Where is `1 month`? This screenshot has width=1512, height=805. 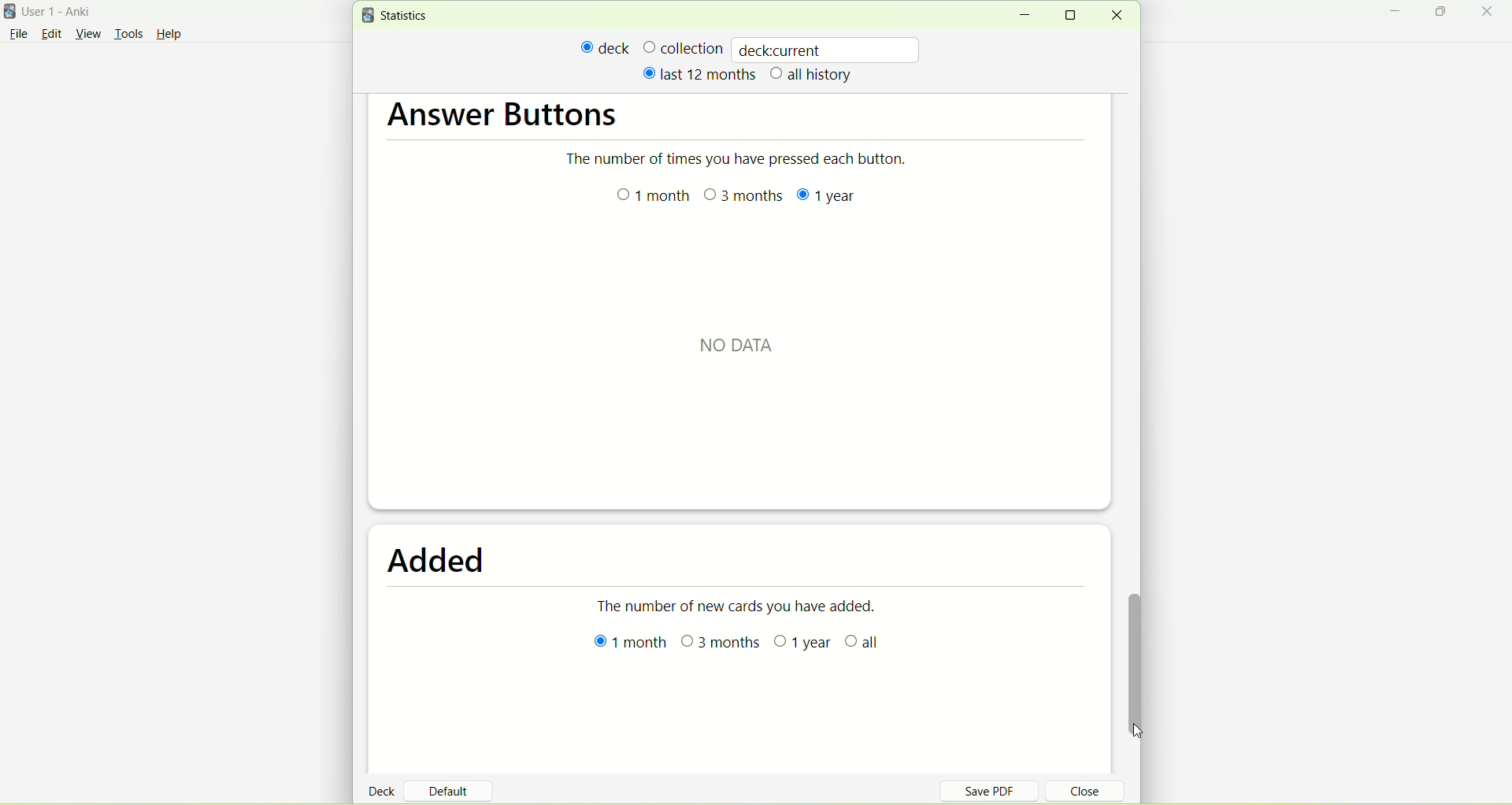 1 month is located at coordinates (631, 645).